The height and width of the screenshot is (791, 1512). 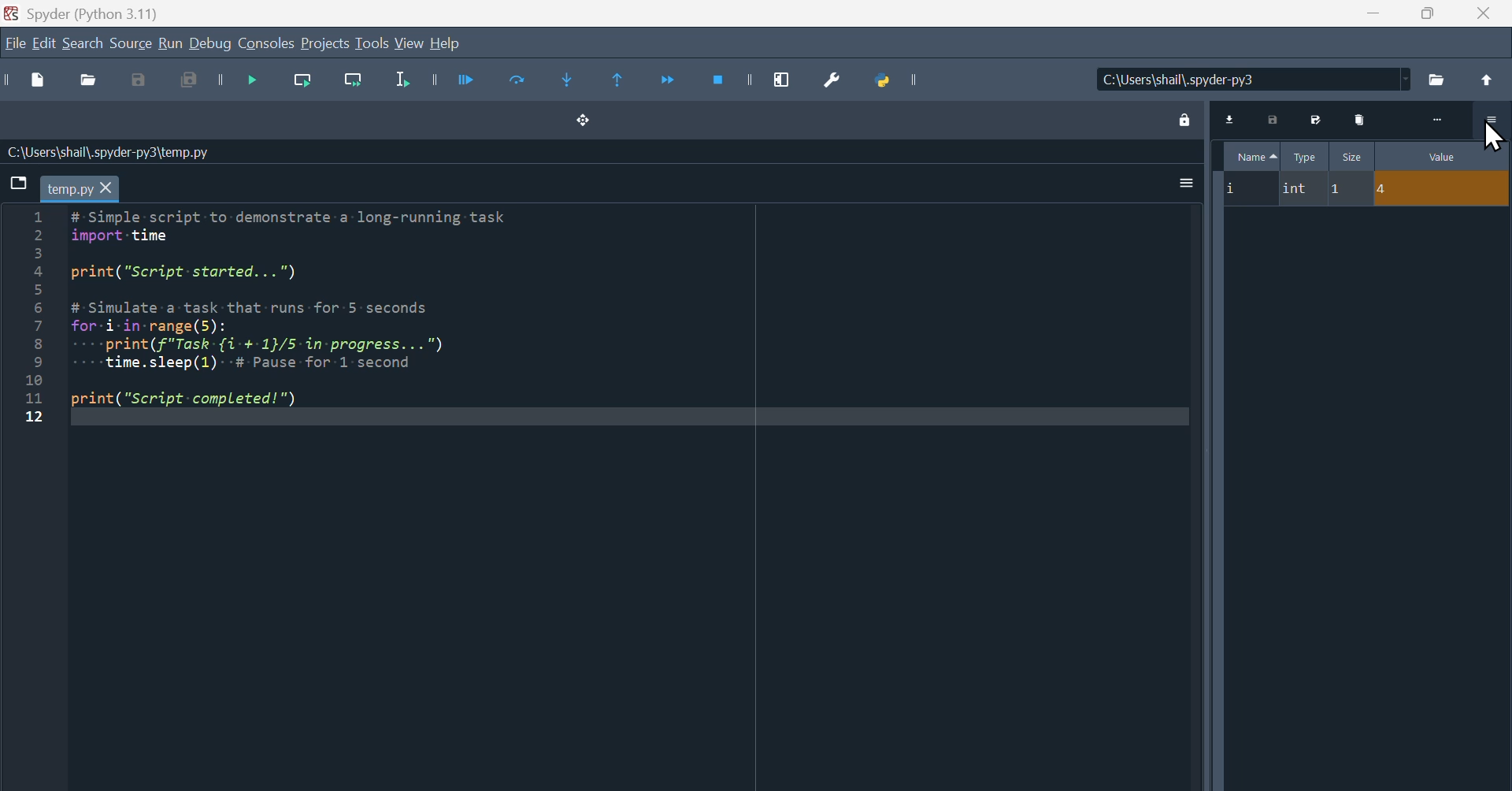 What do you see at coordinates (326, 42) in the screenshot?
I see `Projects` at bounding box center [326, 42].